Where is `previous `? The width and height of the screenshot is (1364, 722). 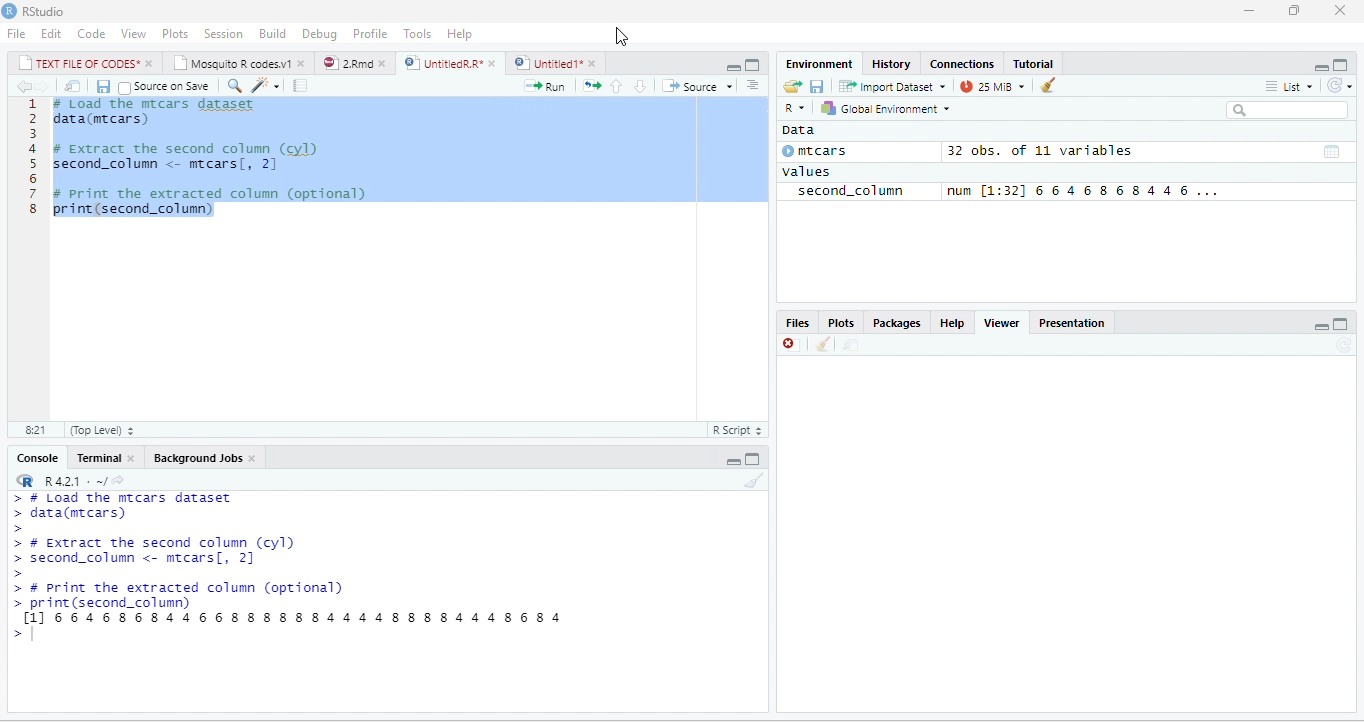
previous  is located at coordinates (22, 86).